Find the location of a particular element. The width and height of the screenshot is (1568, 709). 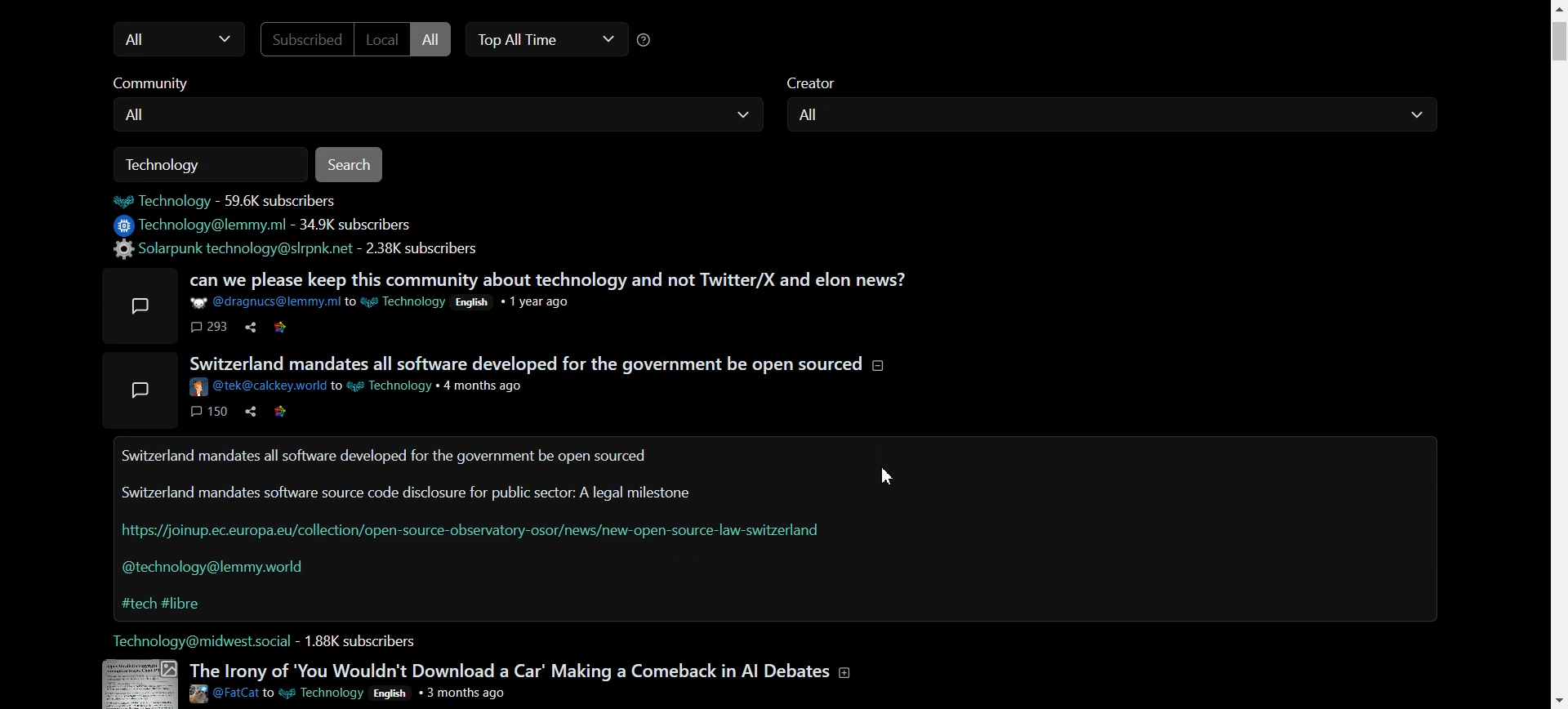

Community is located at coordinates (166, 85).